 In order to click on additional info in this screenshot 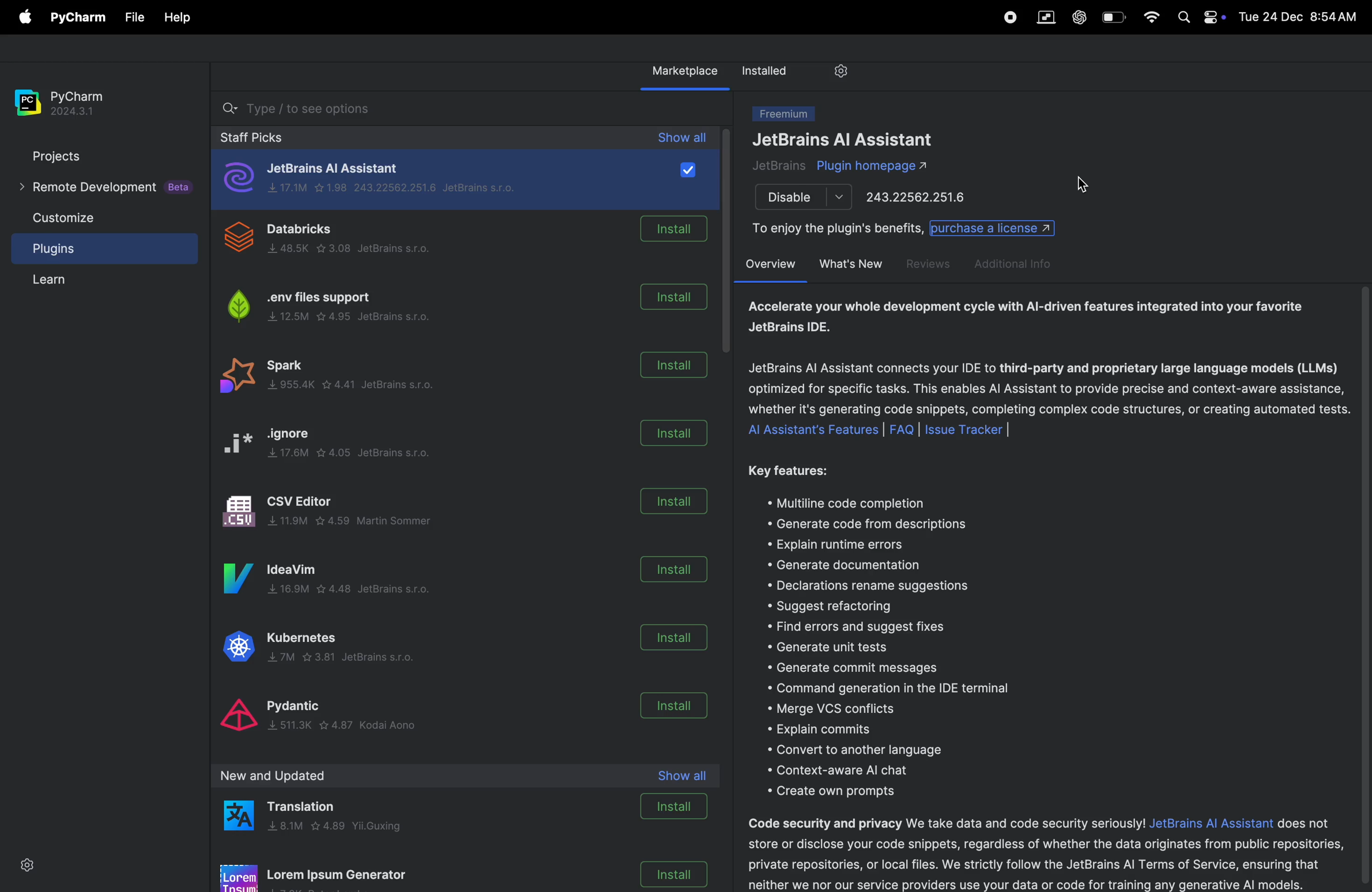, I will do `click(1020, 261)`.